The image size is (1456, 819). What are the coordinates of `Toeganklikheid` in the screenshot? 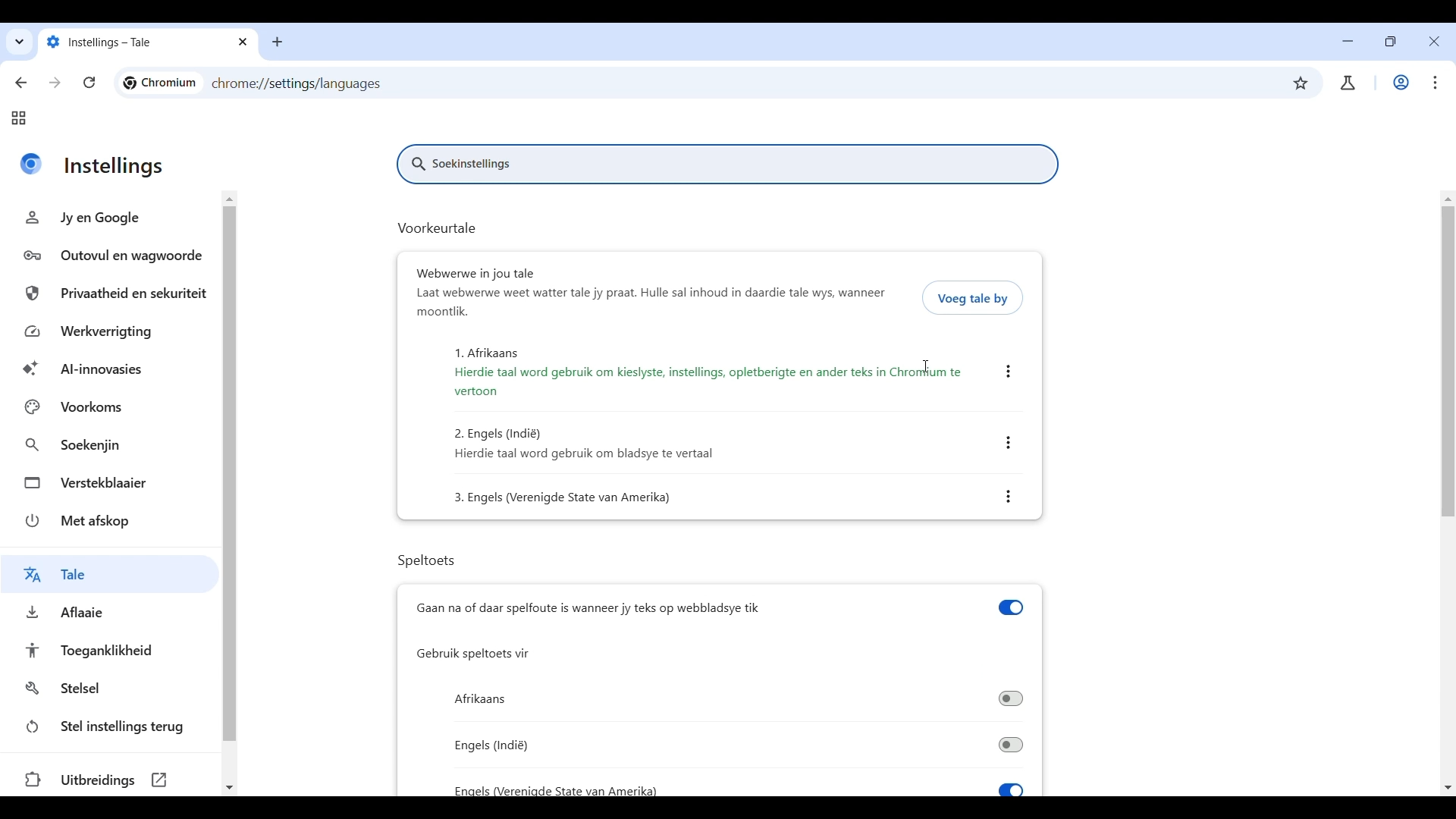 It's located at (106, 651).